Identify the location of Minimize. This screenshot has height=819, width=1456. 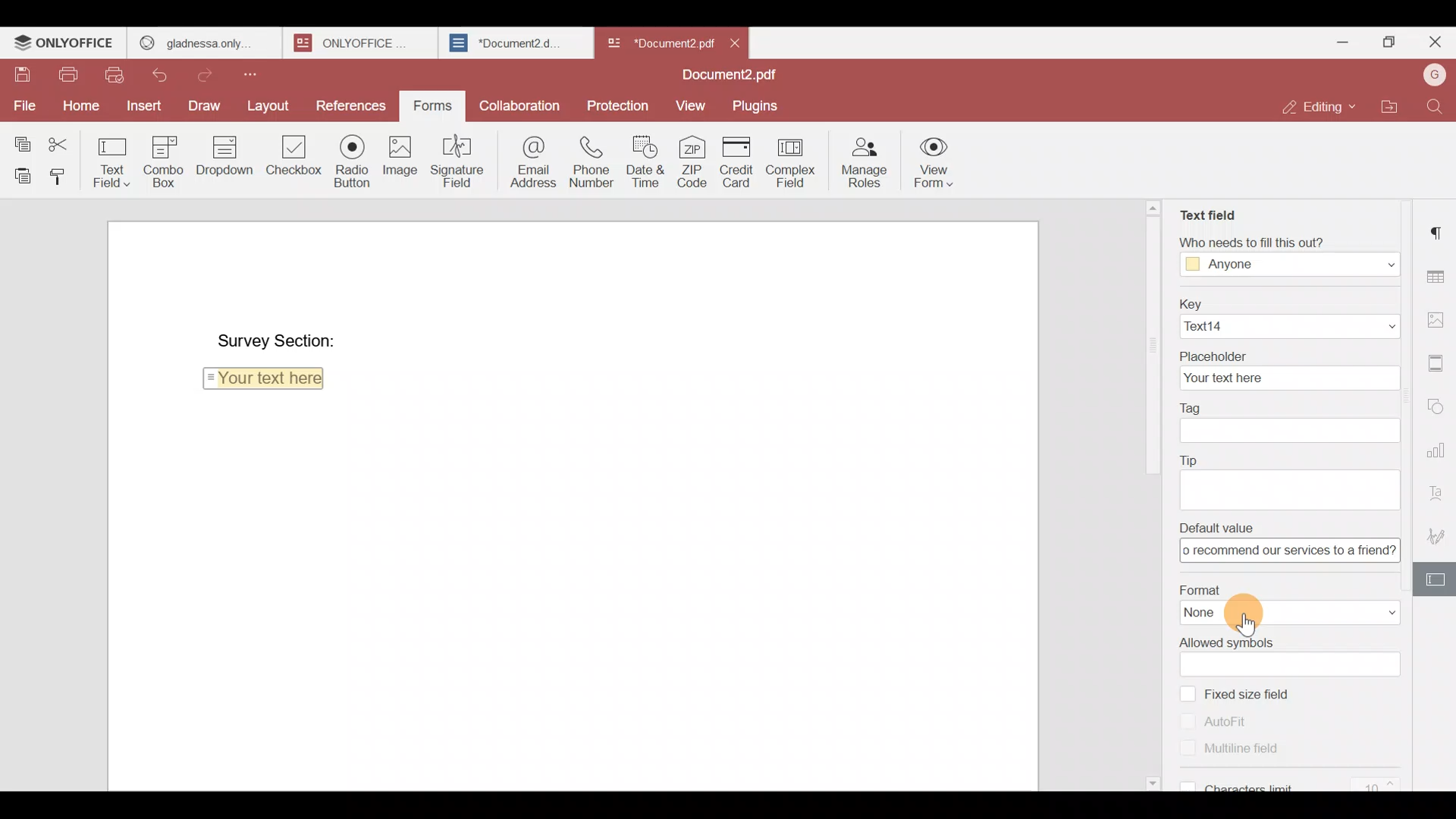
(1348, 42).